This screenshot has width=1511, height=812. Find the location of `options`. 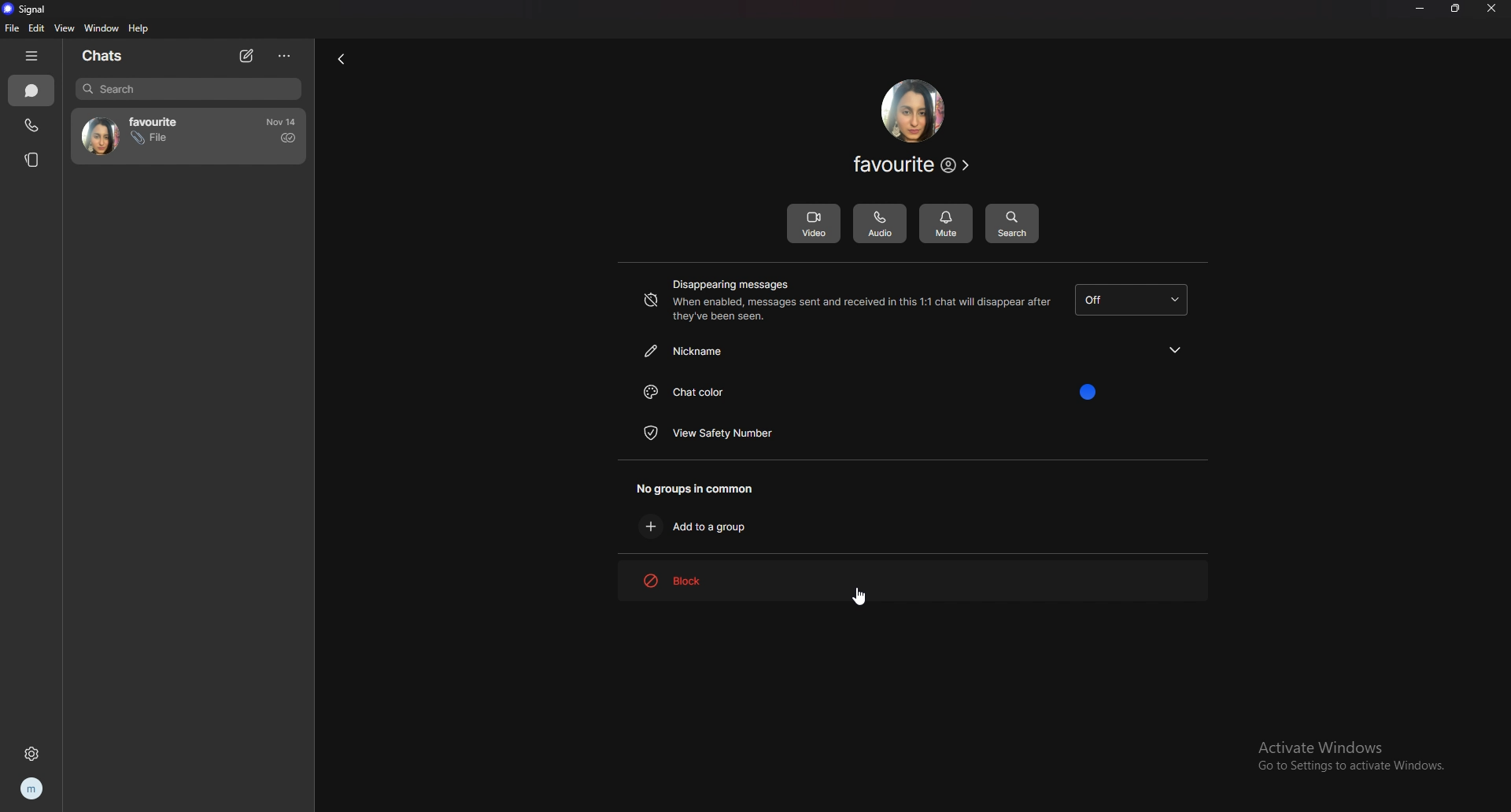

options is located at coordinates (287, 55).